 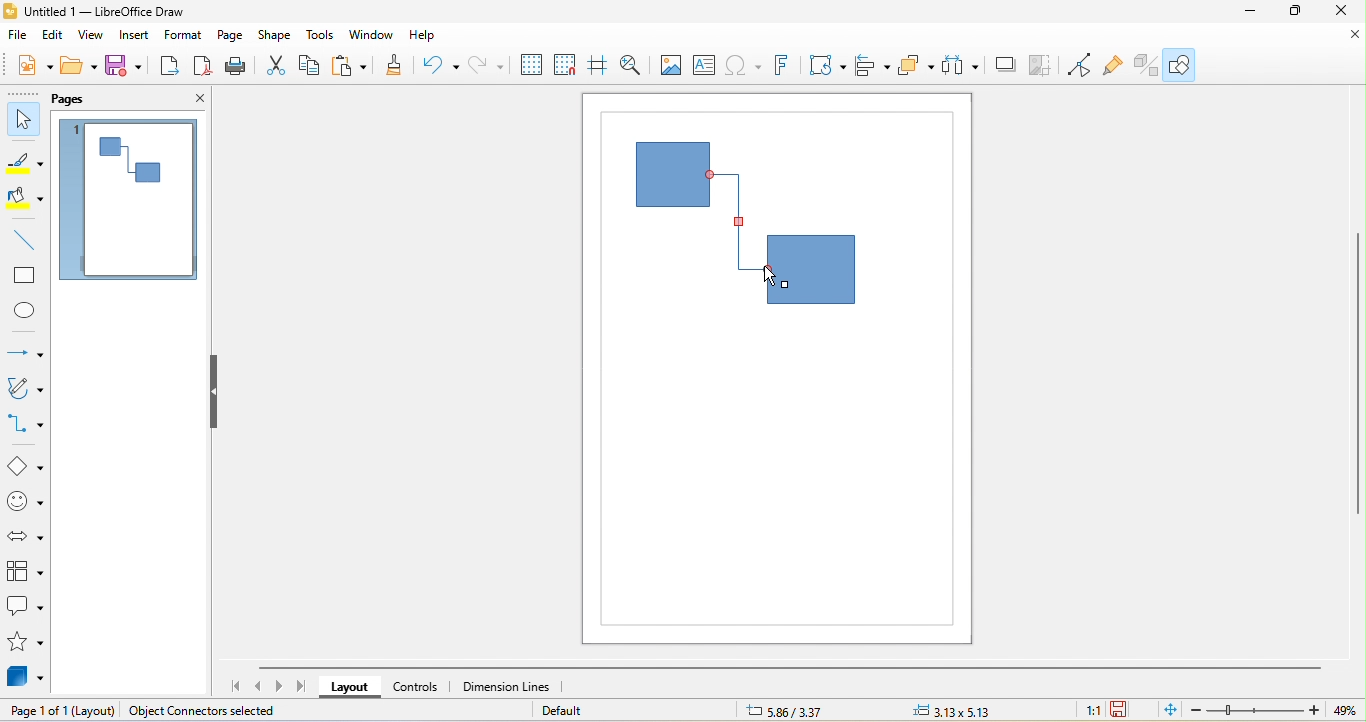 I want to click on tools, so click(x=323, y=36).